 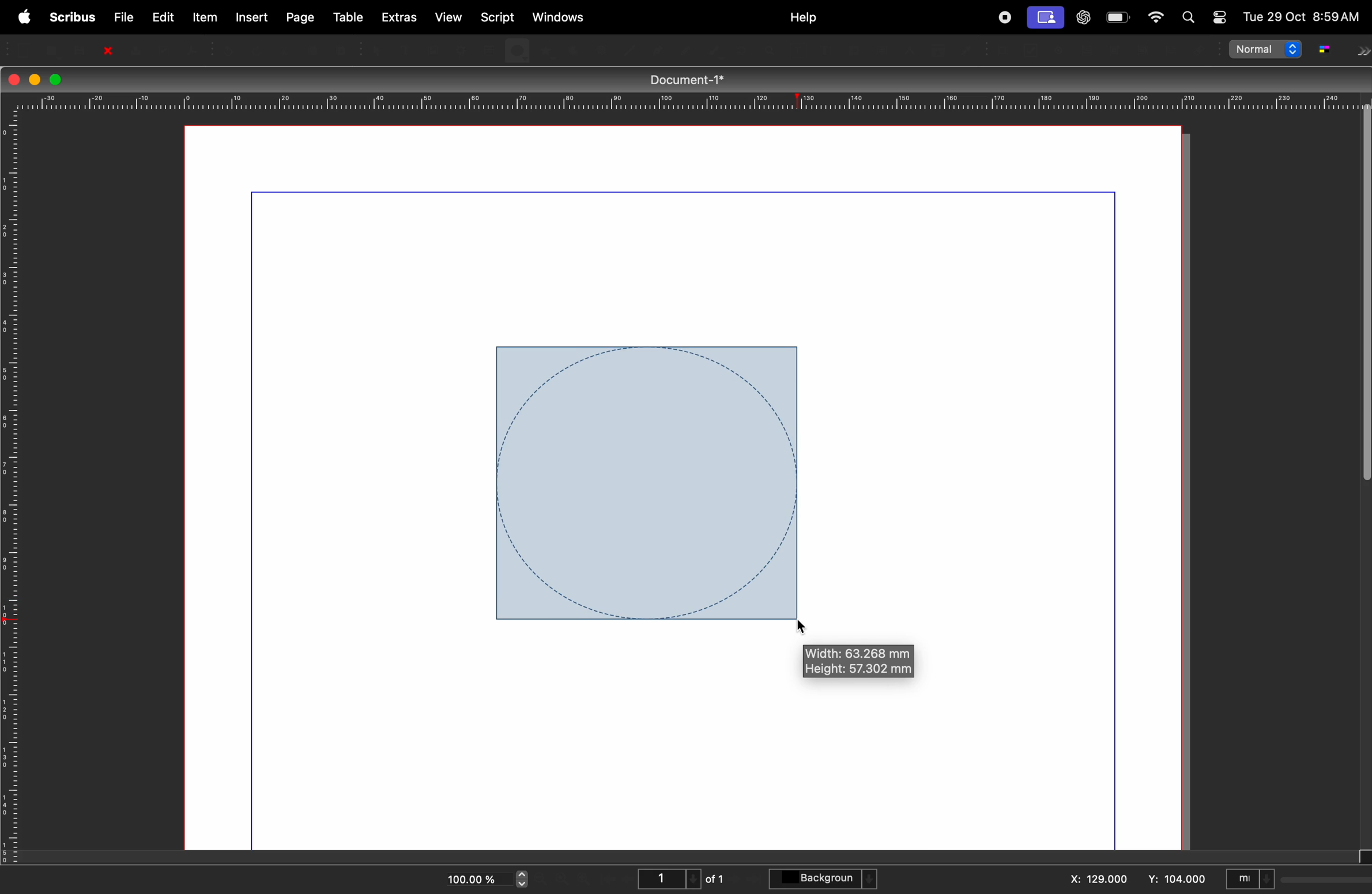 What do you see at coordinates (1171, 878) in the screenshot?
I see `y: 104.00` at bounding box center [1171, 878].